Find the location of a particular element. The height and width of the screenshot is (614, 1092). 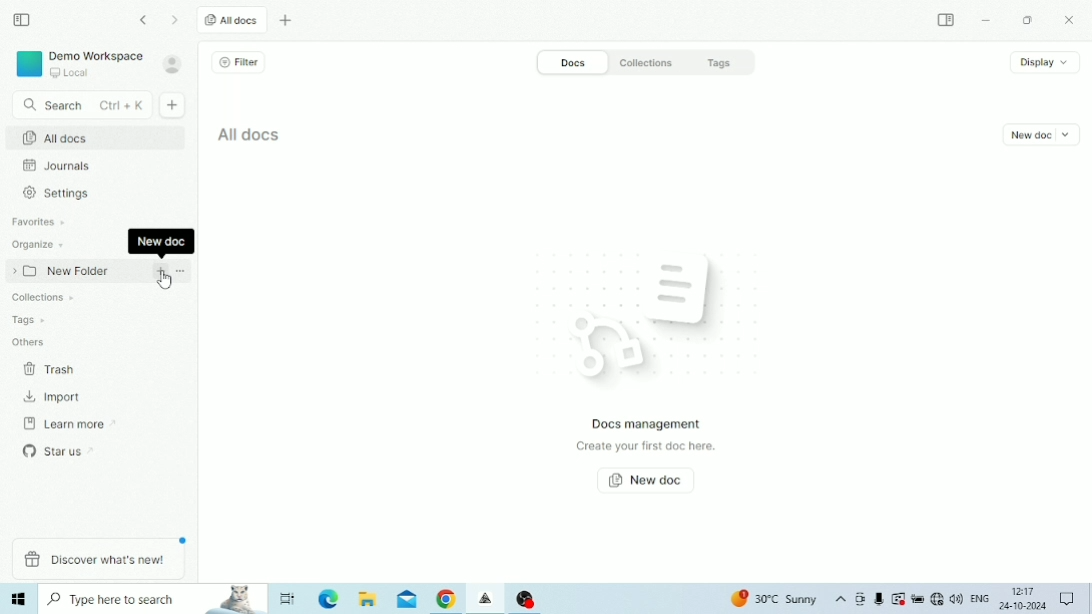

File Explorer is located at coordinates (368, 599).